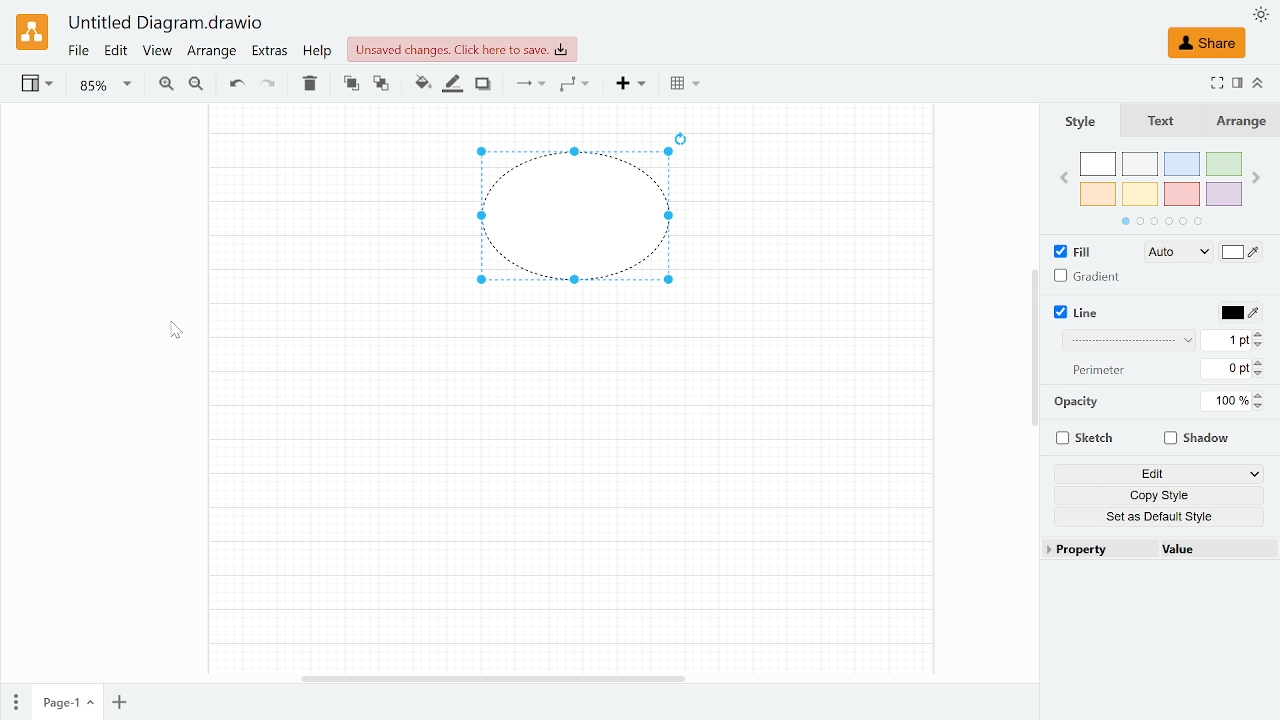 This screenshot has height=720, width=1280. Describe the element at coordinates (485, 83) in the screenshot. I see `Shadow` at that location.